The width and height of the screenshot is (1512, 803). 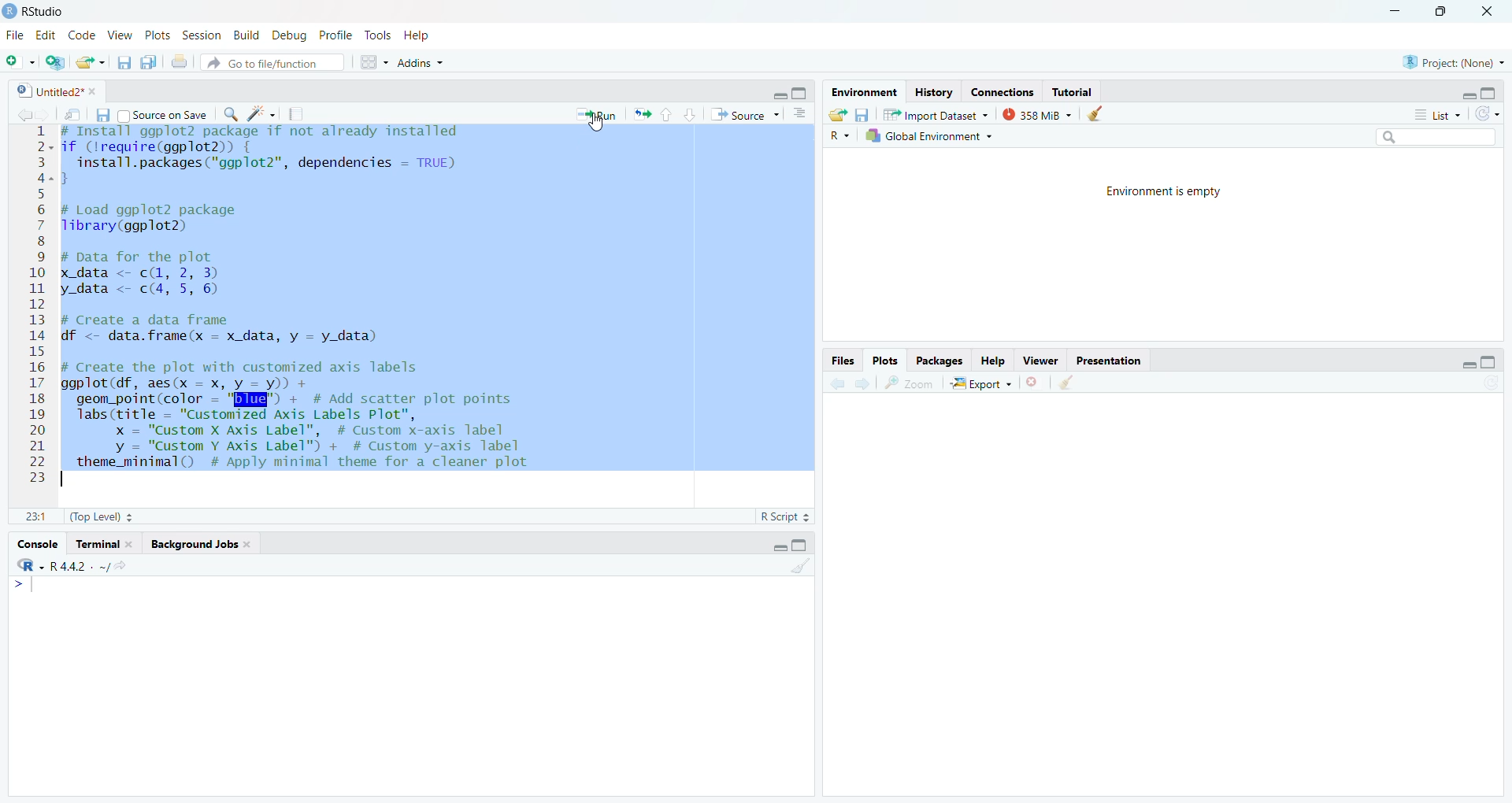 What do you see at coordinates (323, 305) in the screenshot?
I see `Be eS REL Bont B® Tw TEE TEES
2+ if (lrequire(ggplot2)) {

3 install.packages ("ggplot2", dependencies = TRUE)

4-3

5

6 # Load ggplot2 package

7 Tibrary(ggplot2)

8

9 # pata for the p1dt

10 x_data <- c(1, 2, 3)

11 y_data <- c(4, 5, 6)

12

13 # Create a data frame

14 df <- data.frame(x = x_data, y = y_data)

15

16 # Create the plot with customized axis labels

17 ggplot(df, aes(x = x, y = y)) +

18 geom_point(color - "Eil") + # Add scatter plot points
19 labs (title = "Customized Axis Labels Plot",

20 x = "Custom X Axis Label", # Custom x-axis label
21 y = "Custom Y Axis Label") + # Custom y-axis label
22 | theme_minimal() # Apply minimal theme for a cleaner plot
23` at bounding box center [323, 305].